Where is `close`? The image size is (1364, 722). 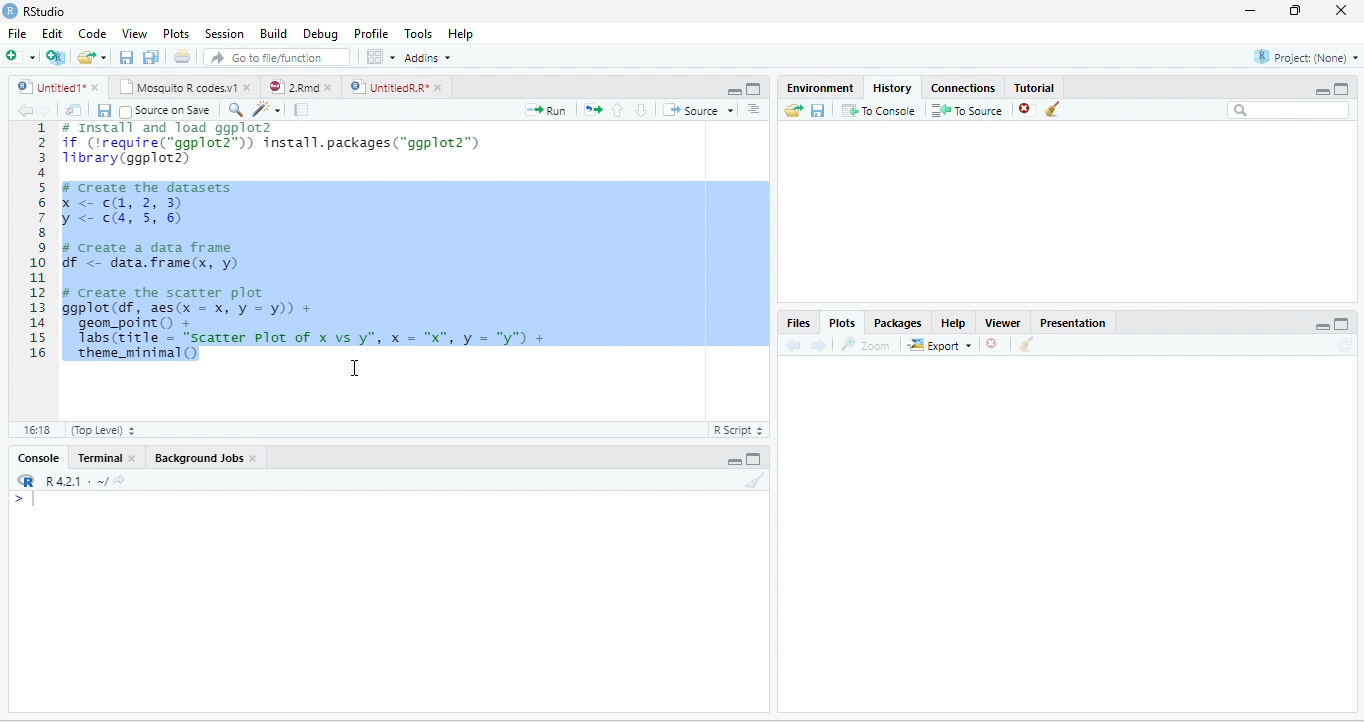 close is located at coordinates (328, 87).